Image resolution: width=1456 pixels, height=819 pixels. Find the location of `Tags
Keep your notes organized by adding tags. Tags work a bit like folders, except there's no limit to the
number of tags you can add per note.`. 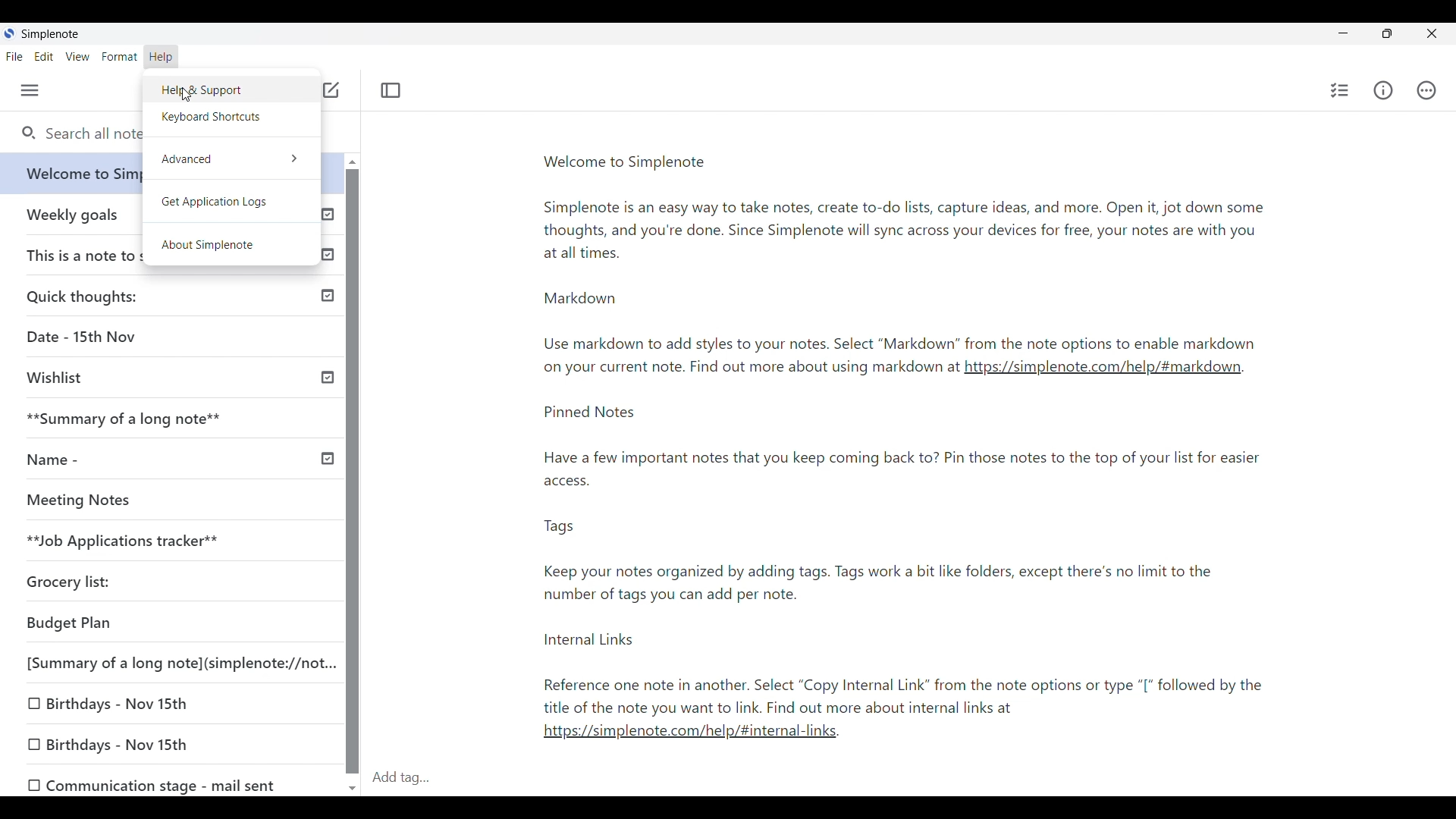

Tags
Keep your notes organized by adding tags. Tags work a bit like folders, except there's no limit to the
number of tags you can add per note. is located at coordinates (884, 560).